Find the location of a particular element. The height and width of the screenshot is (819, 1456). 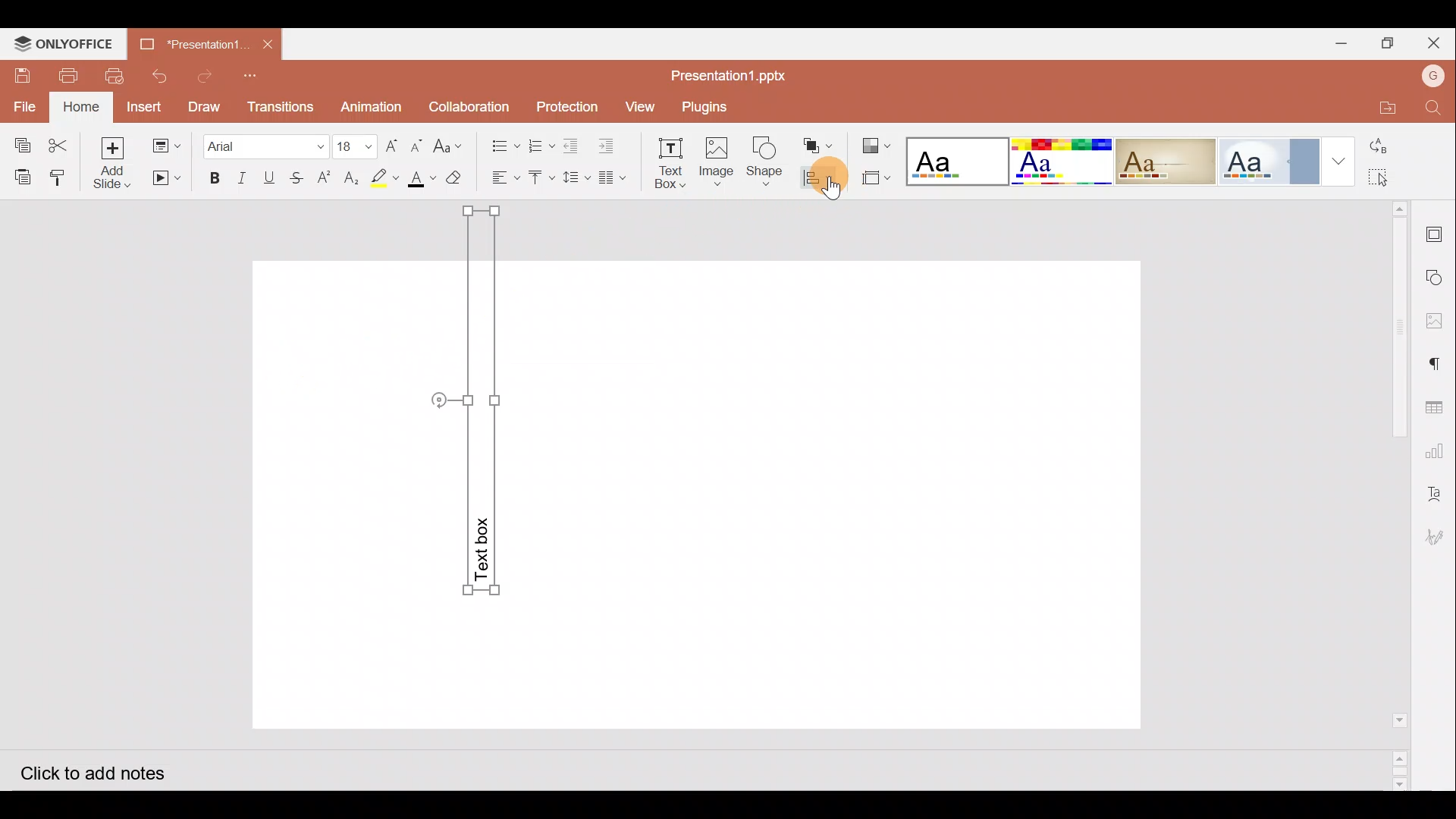

Presentation1.pptx is located at coordinates (732, 71).